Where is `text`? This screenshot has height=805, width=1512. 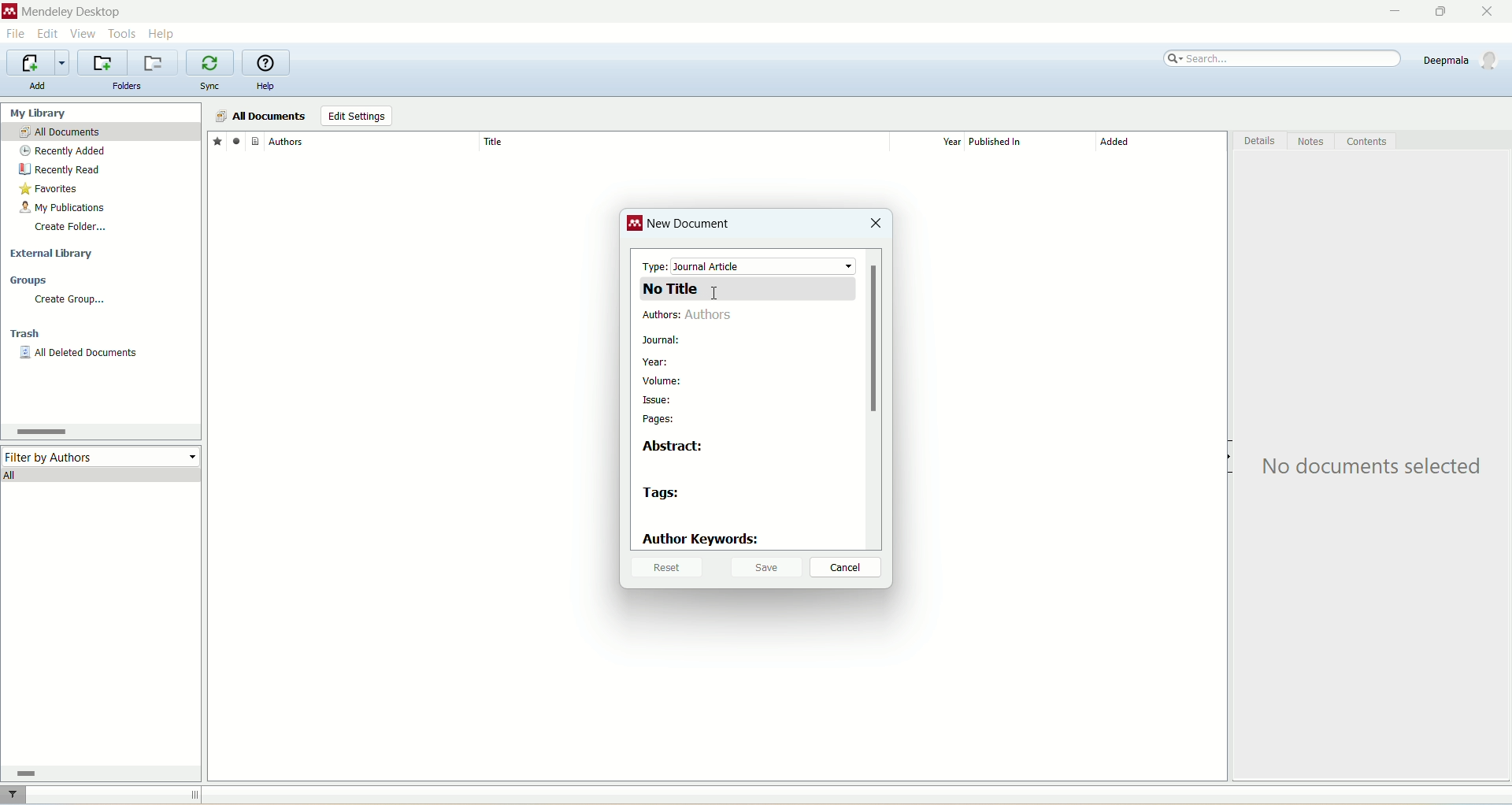 text is located at coordinates (1376, 467).